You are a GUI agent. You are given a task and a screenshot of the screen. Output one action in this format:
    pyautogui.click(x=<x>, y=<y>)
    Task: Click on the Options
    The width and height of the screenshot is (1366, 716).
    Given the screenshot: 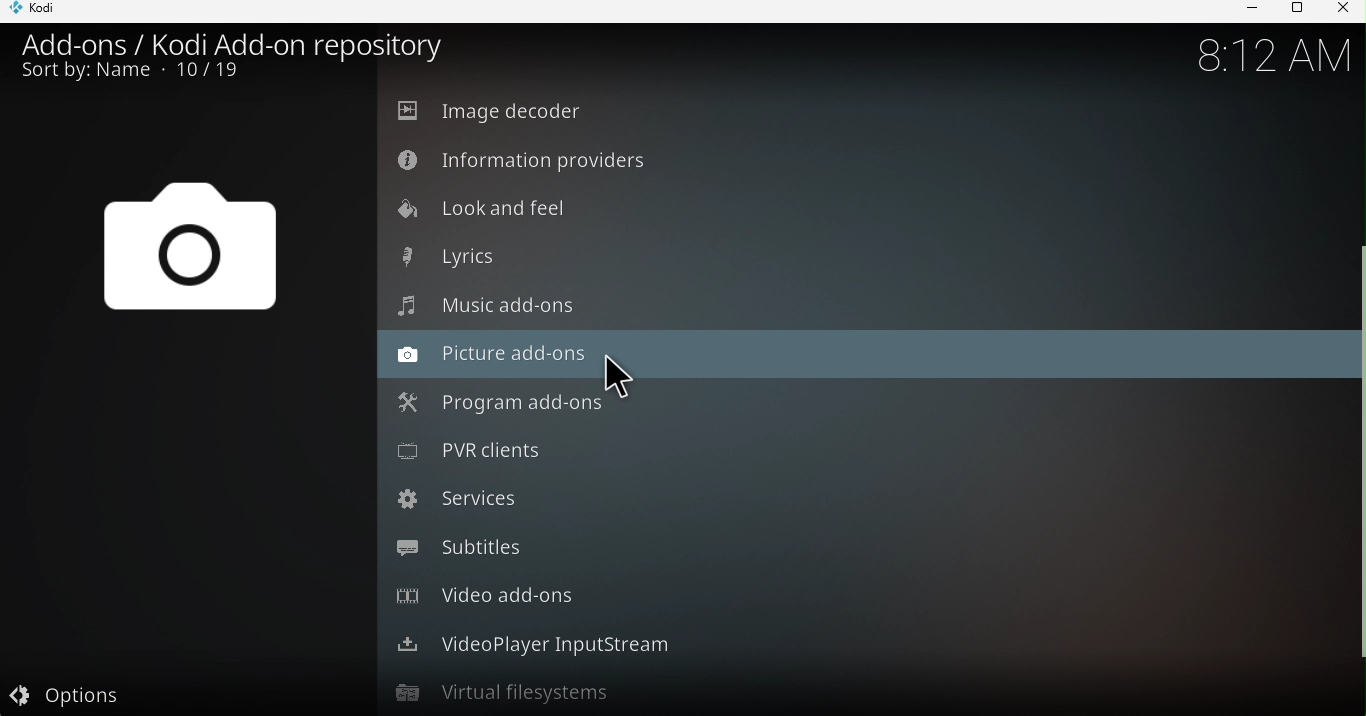 What is the action you would take?
    pyautogui.click(x=185, y=691)
    